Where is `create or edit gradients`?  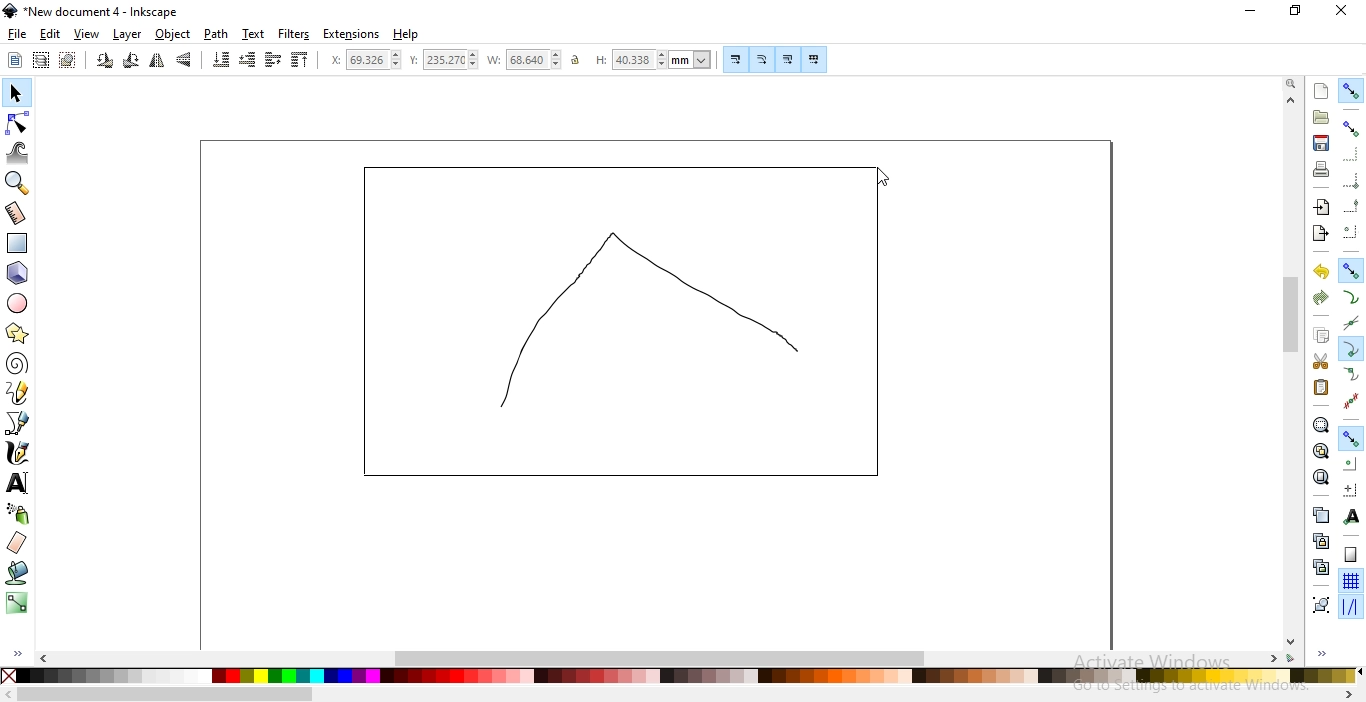
create or edit gradients is located at coordinates (16, 603).